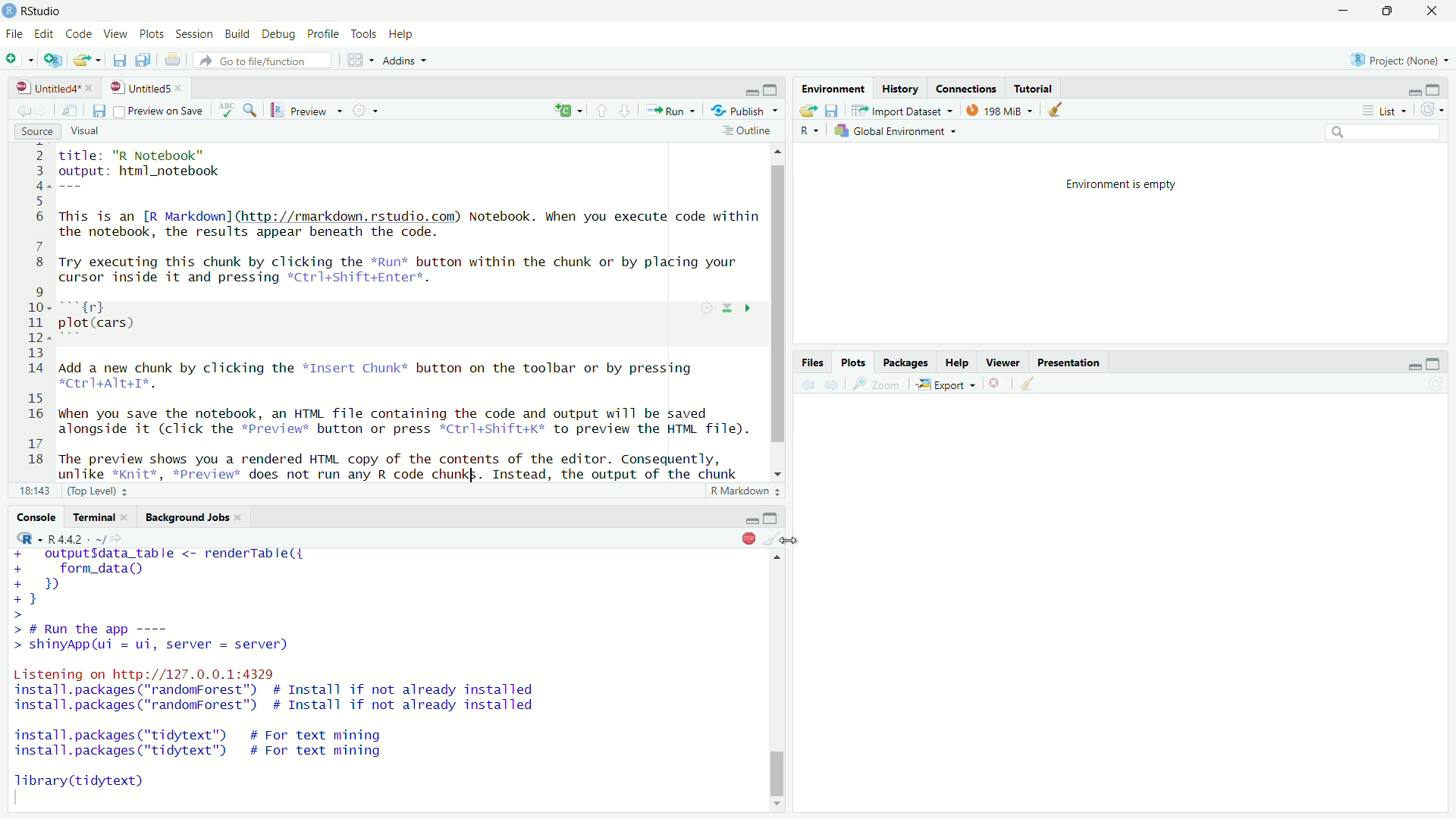  Describe the element at coordinates (807, 110) in the screenshot. I see `Load WorSpace` at that location.